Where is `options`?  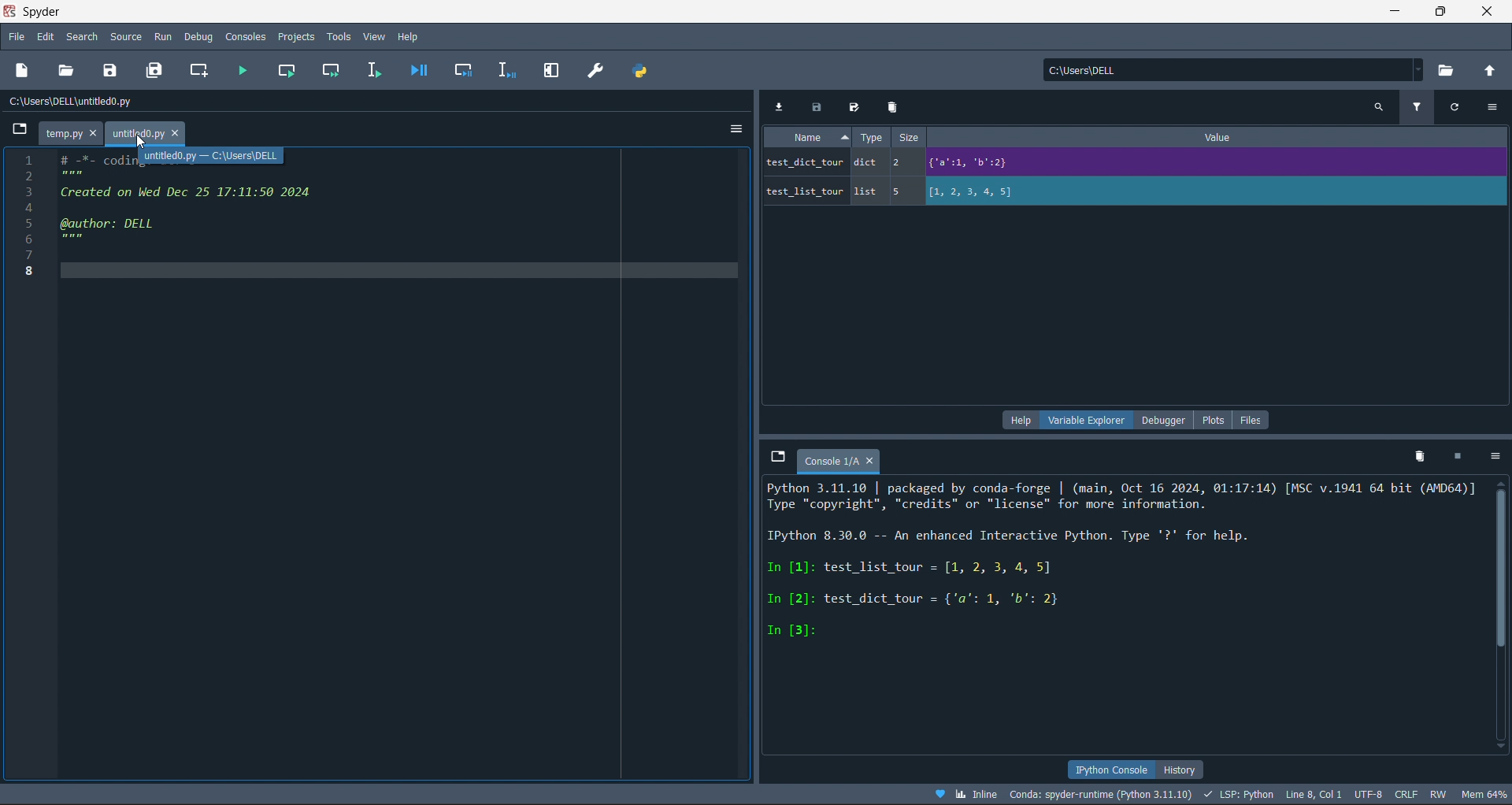 options is located at coordinates (734, 128).